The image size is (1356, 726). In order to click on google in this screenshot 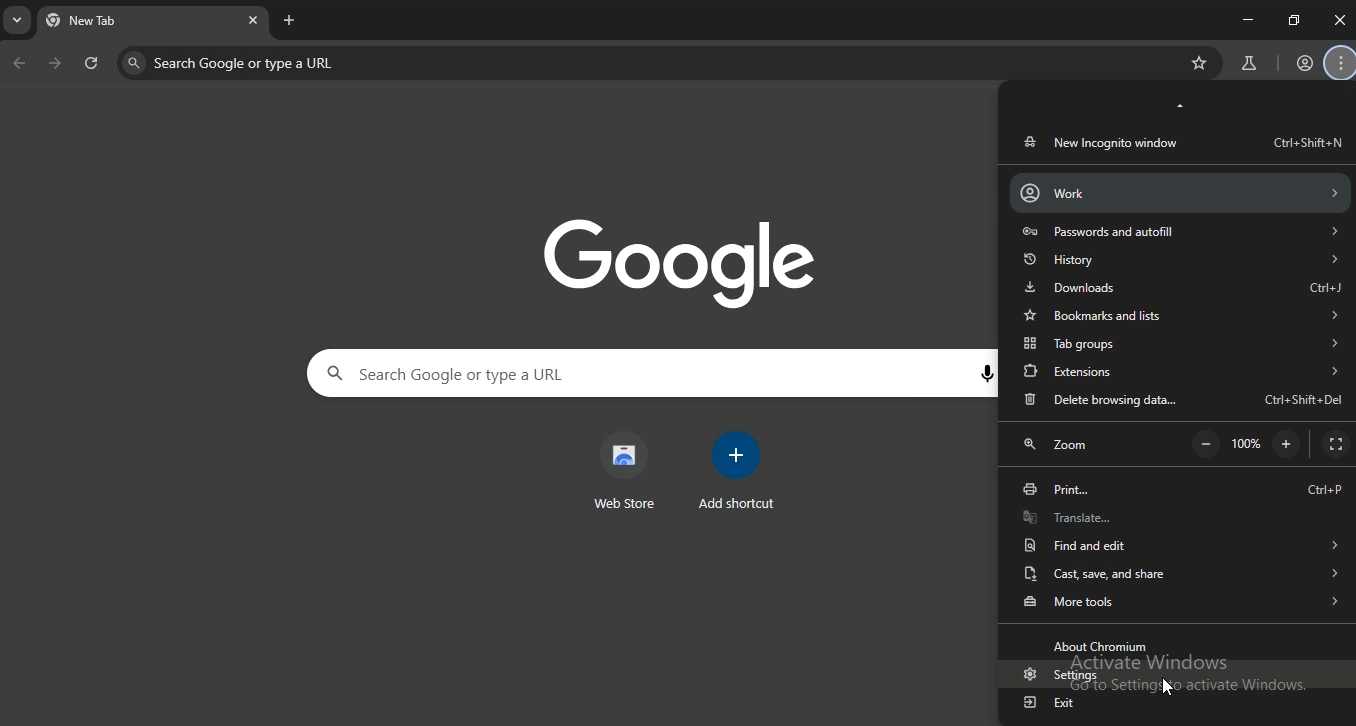, I will do `click(692, 261)`.